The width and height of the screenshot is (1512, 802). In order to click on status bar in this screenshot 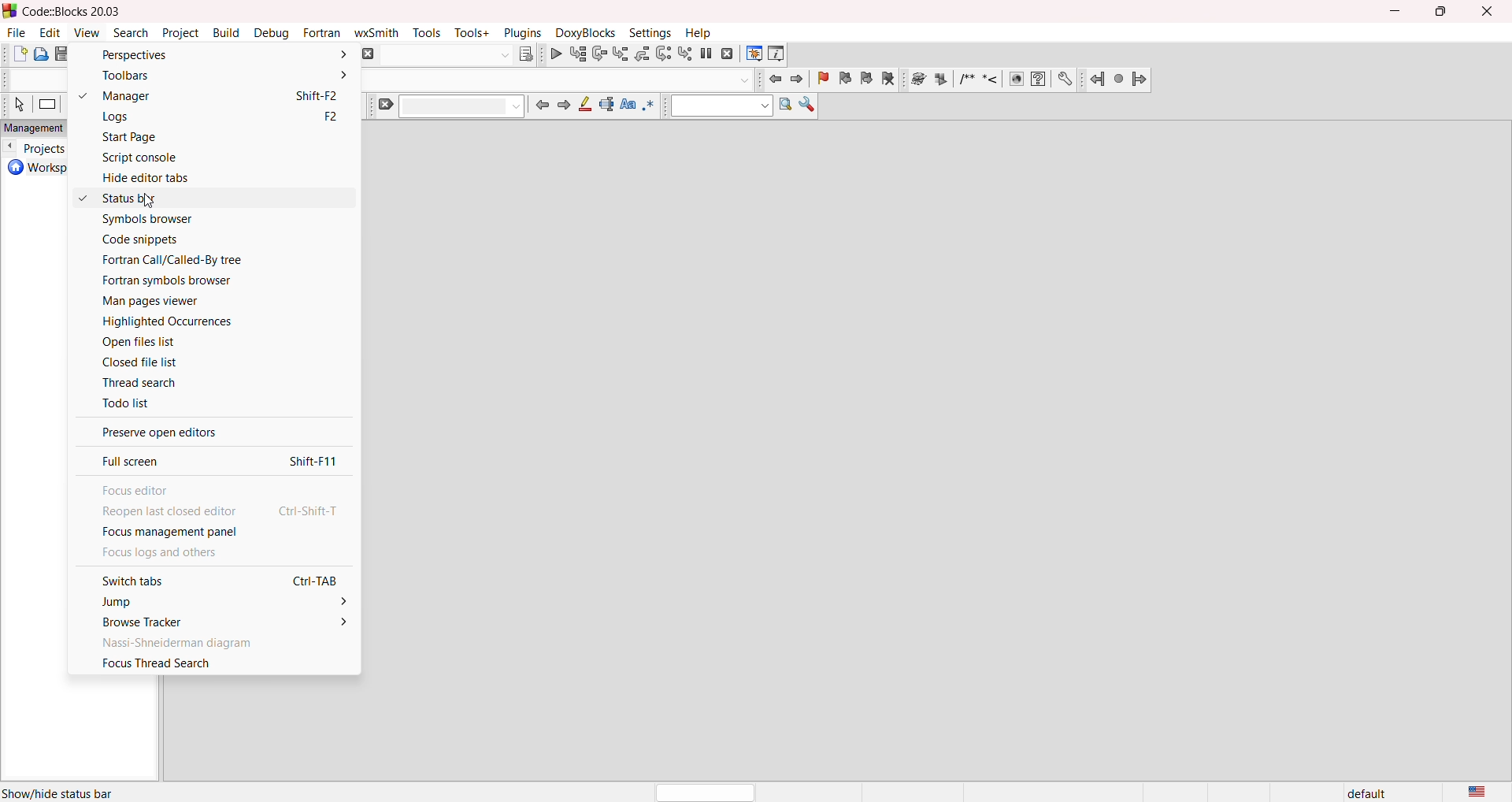, I will do `click(209, 199)`.